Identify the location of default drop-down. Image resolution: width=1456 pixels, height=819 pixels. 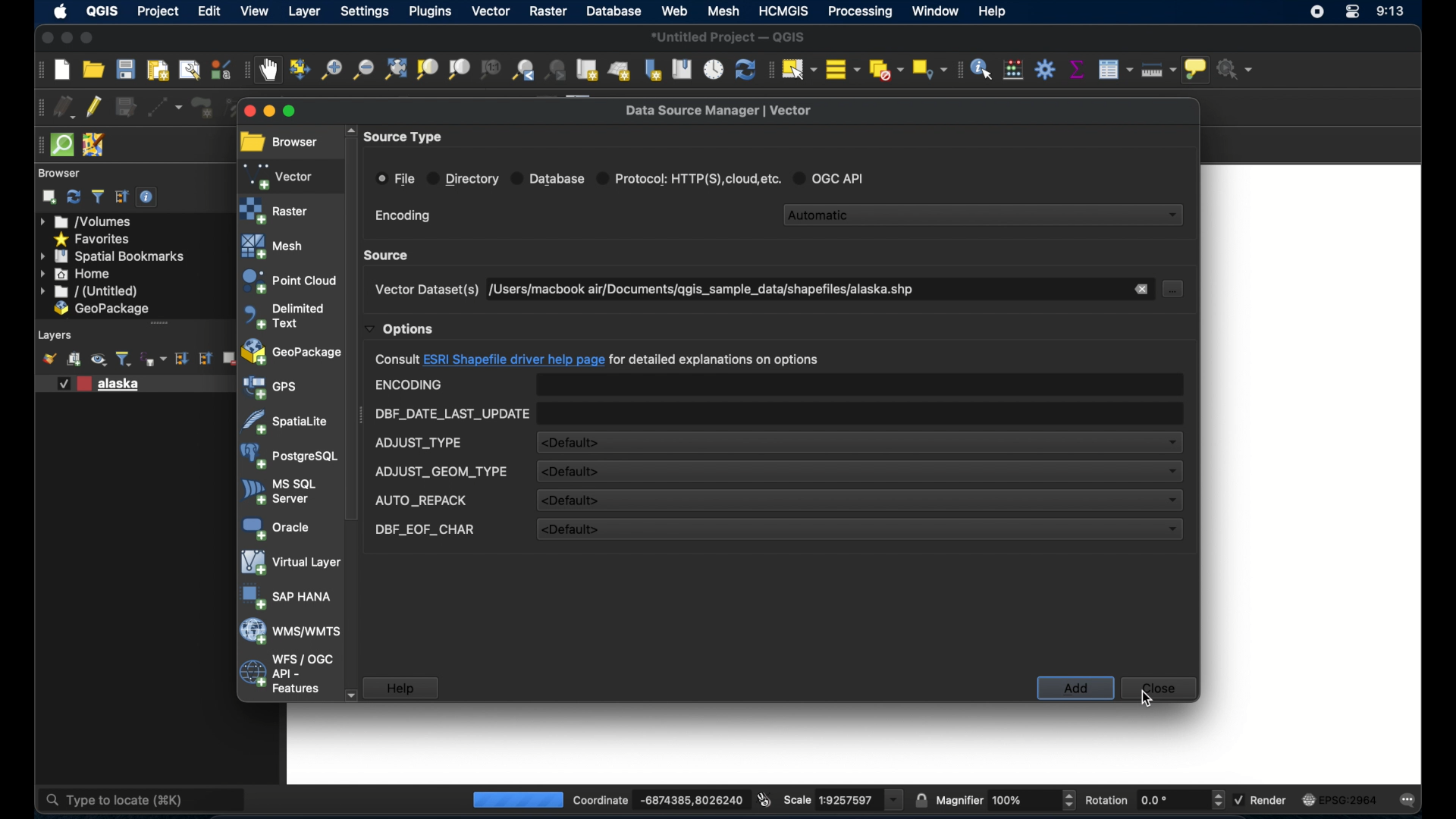
(860, 442).